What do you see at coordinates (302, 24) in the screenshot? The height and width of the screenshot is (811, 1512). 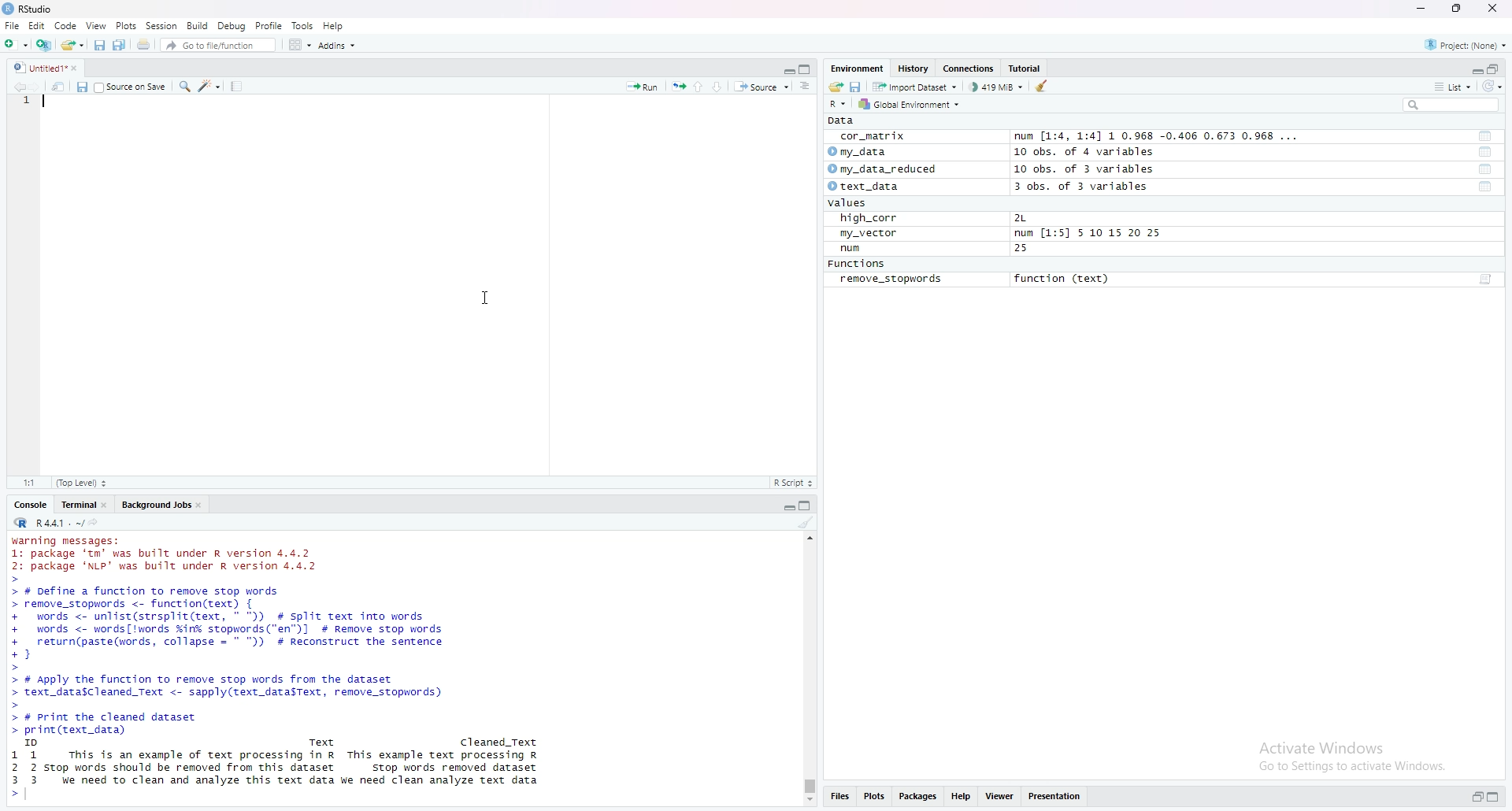 I see `Tools` at bounding box center [302, 24].